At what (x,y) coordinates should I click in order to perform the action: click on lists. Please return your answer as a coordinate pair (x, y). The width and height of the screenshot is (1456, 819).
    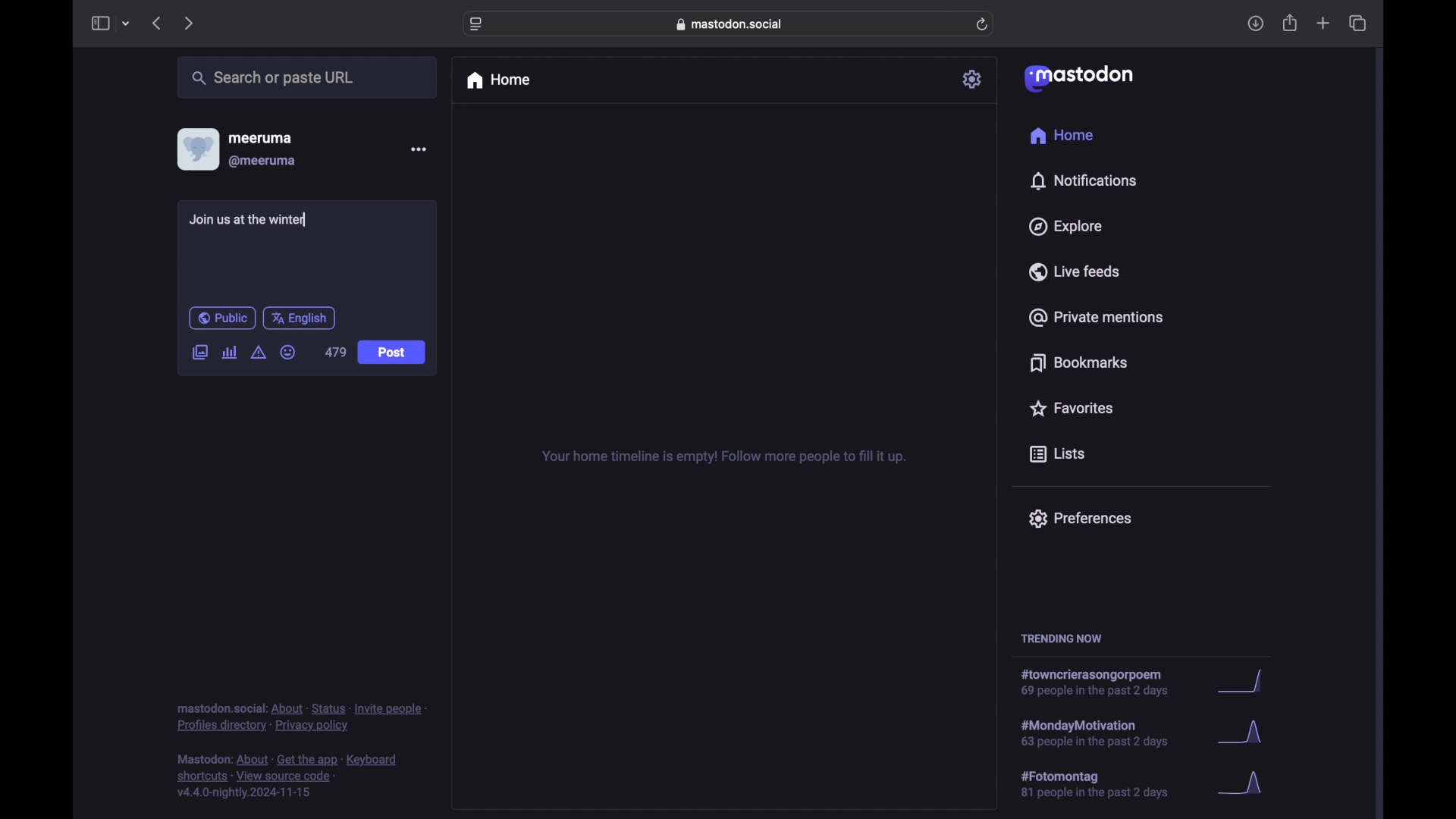
    Looking at the image, I should click on (1057, 455).